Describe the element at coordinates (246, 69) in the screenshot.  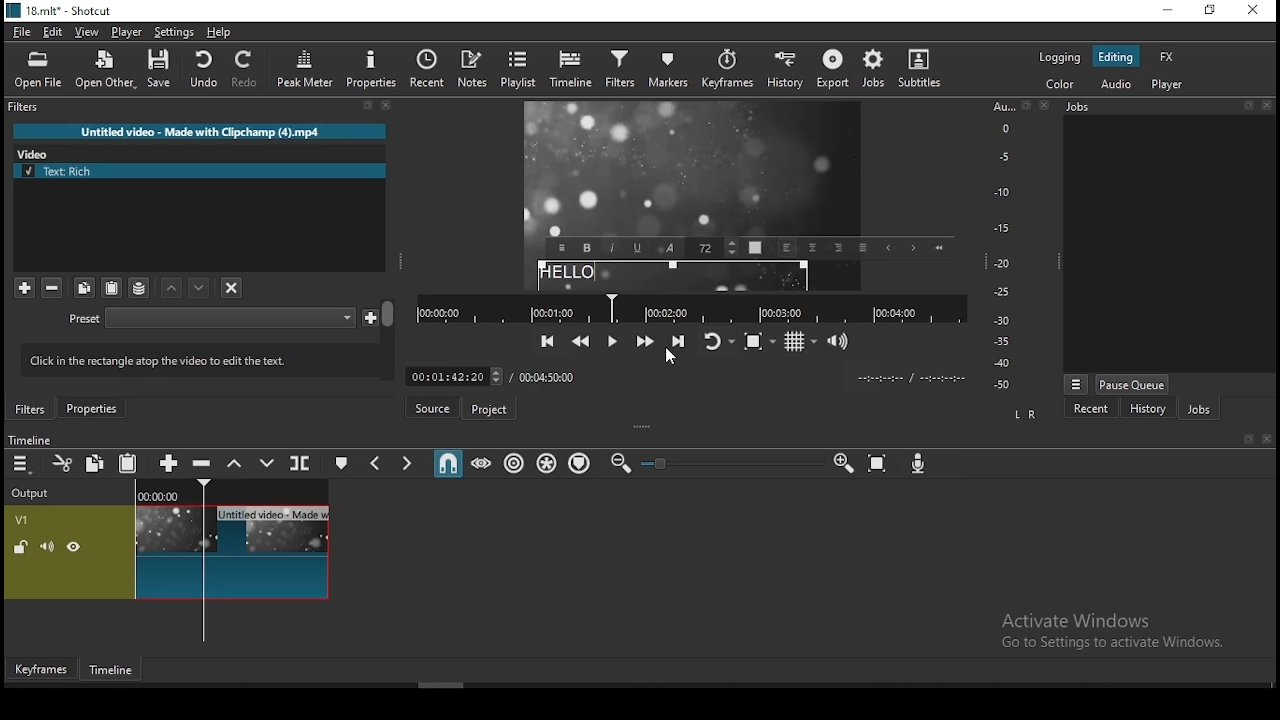
I see `redo` at that location.